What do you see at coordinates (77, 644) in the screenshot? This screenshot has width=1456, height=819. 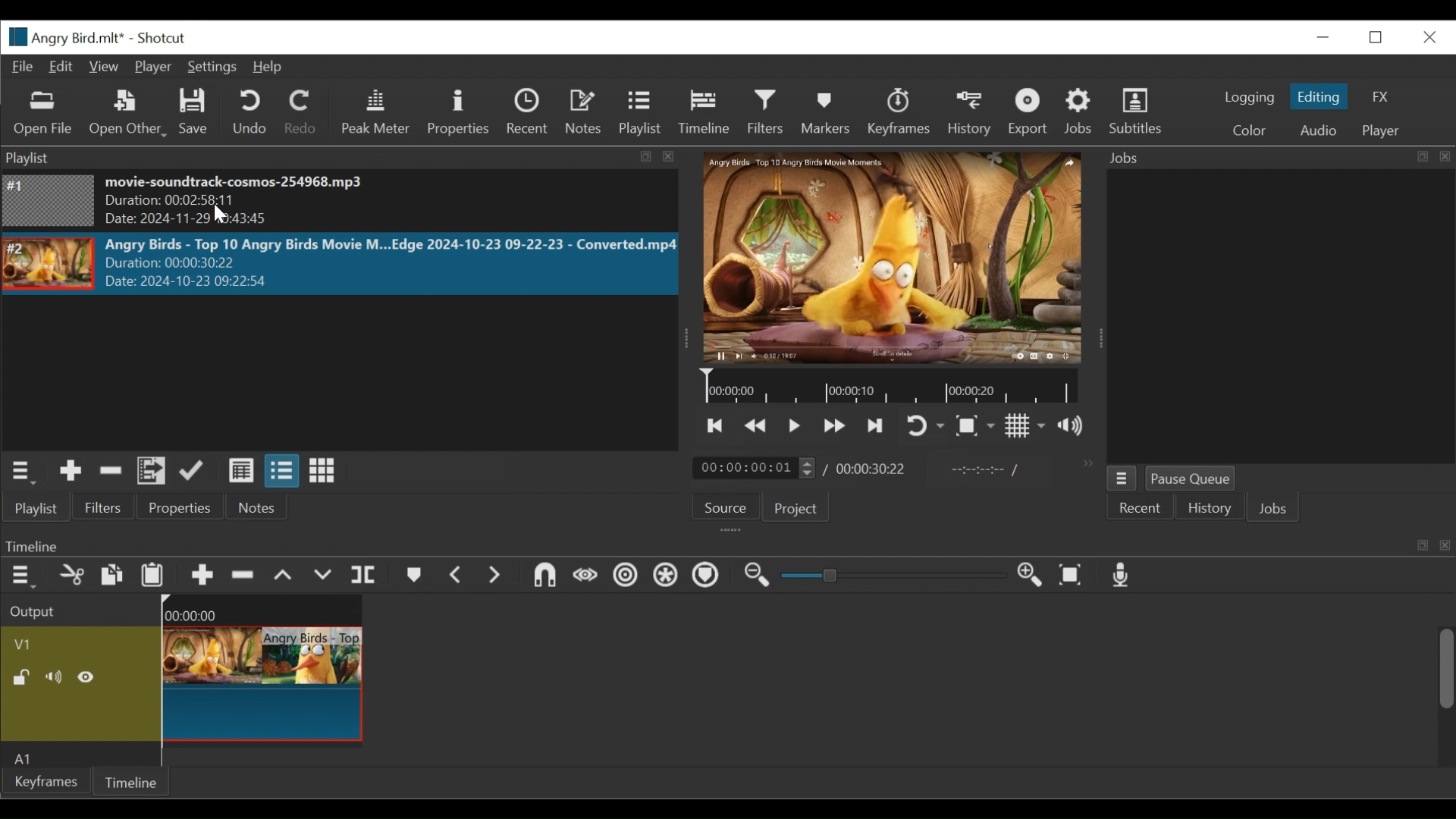 I see `Video` at bounding box center [77, 644].